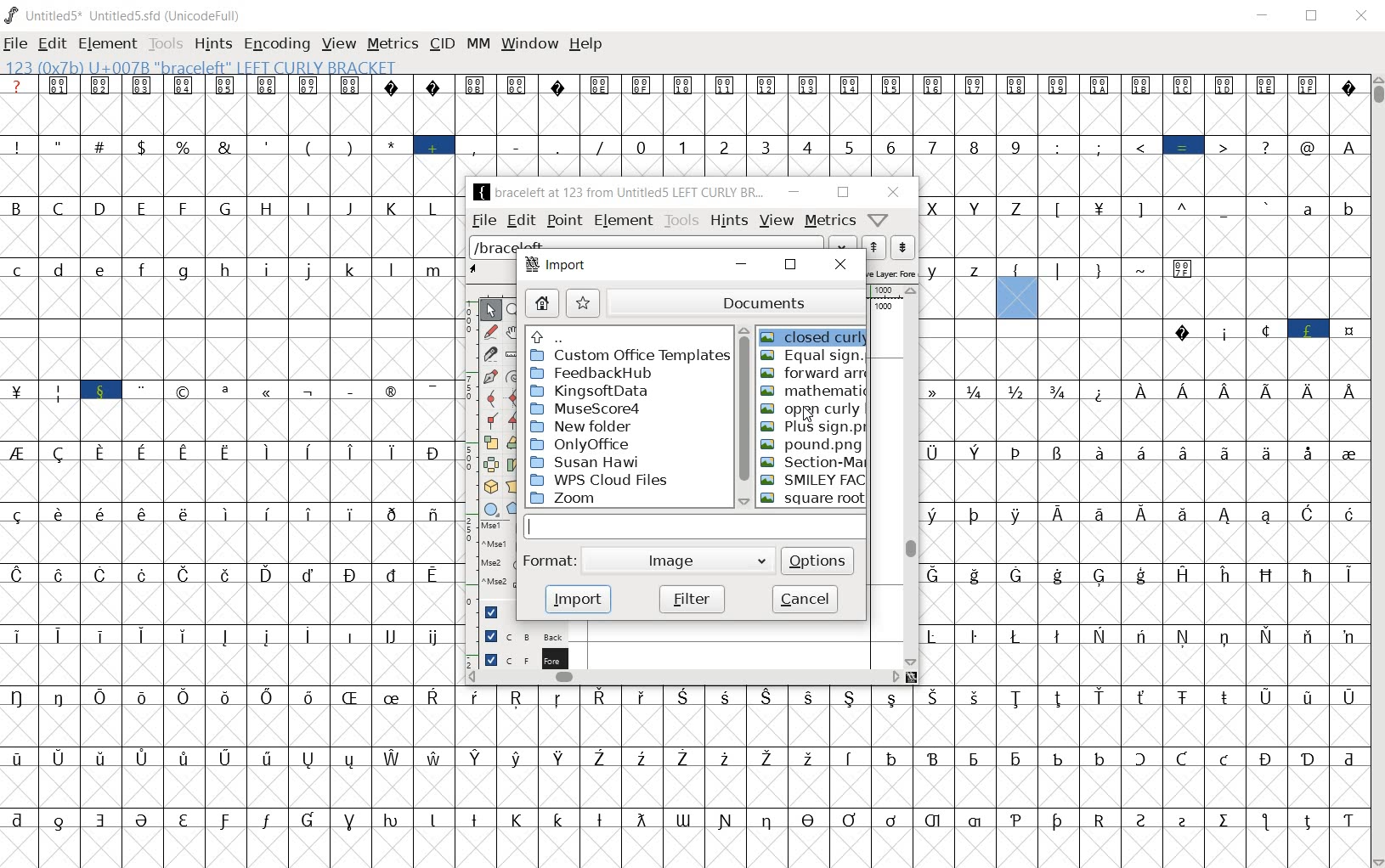 The height and width of the screenshot is (868, 1385). I want to click on documents, so click(738, 303).